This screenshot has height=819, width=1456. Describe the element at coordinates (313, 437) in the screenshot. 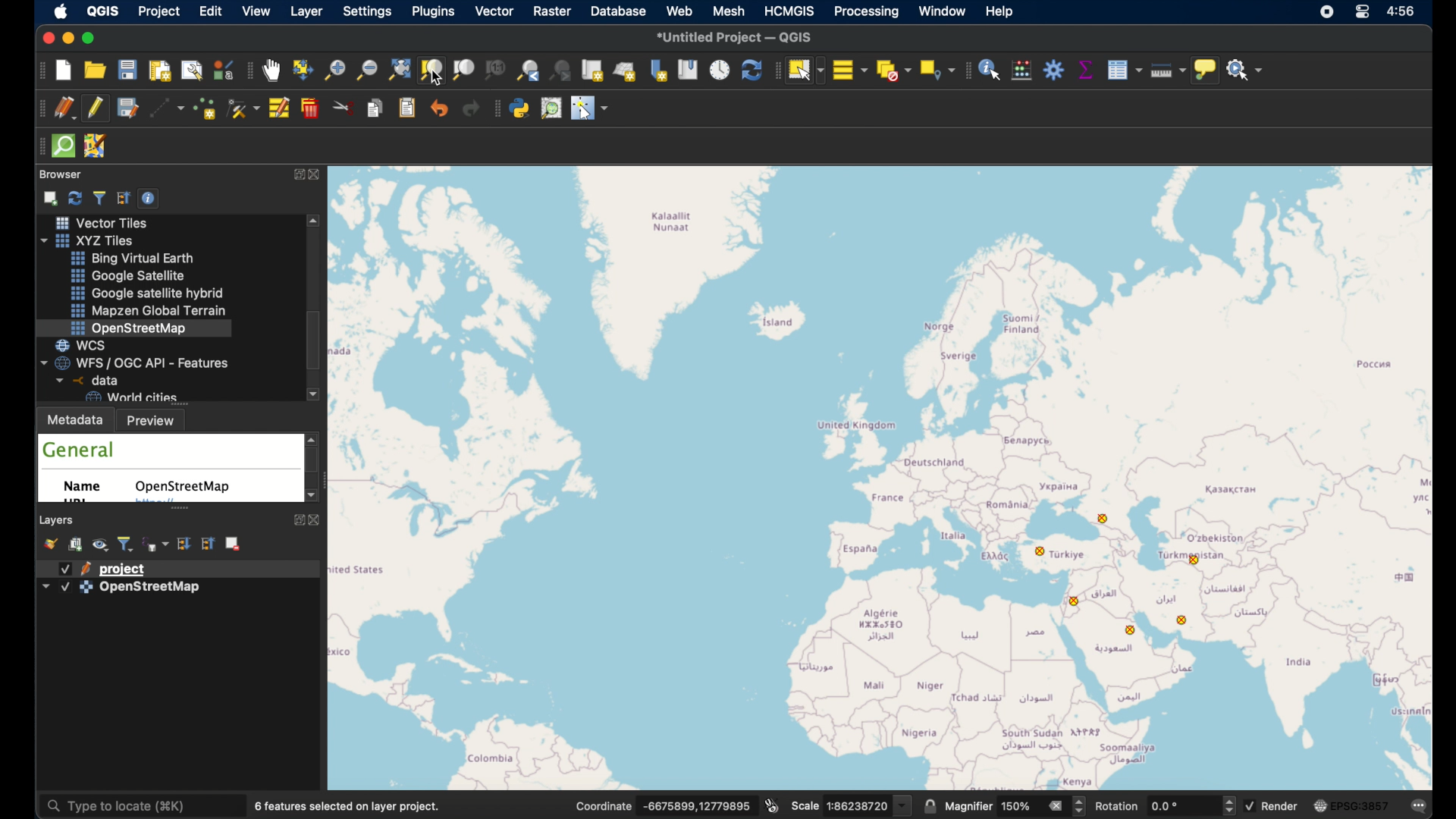

I see `scroll up arrow` at that location.